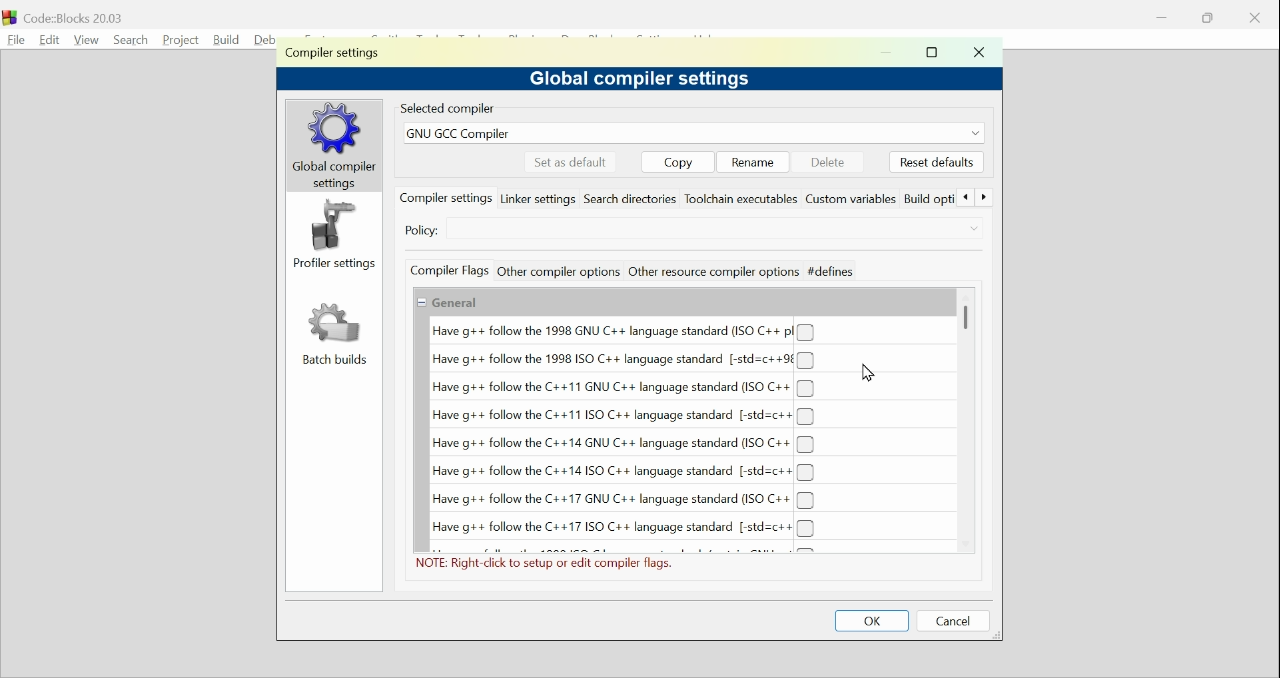  What do you see at coordinates (1162, 17) in the screenshot?
I see `minimise` at bounding box center [1162, 17].